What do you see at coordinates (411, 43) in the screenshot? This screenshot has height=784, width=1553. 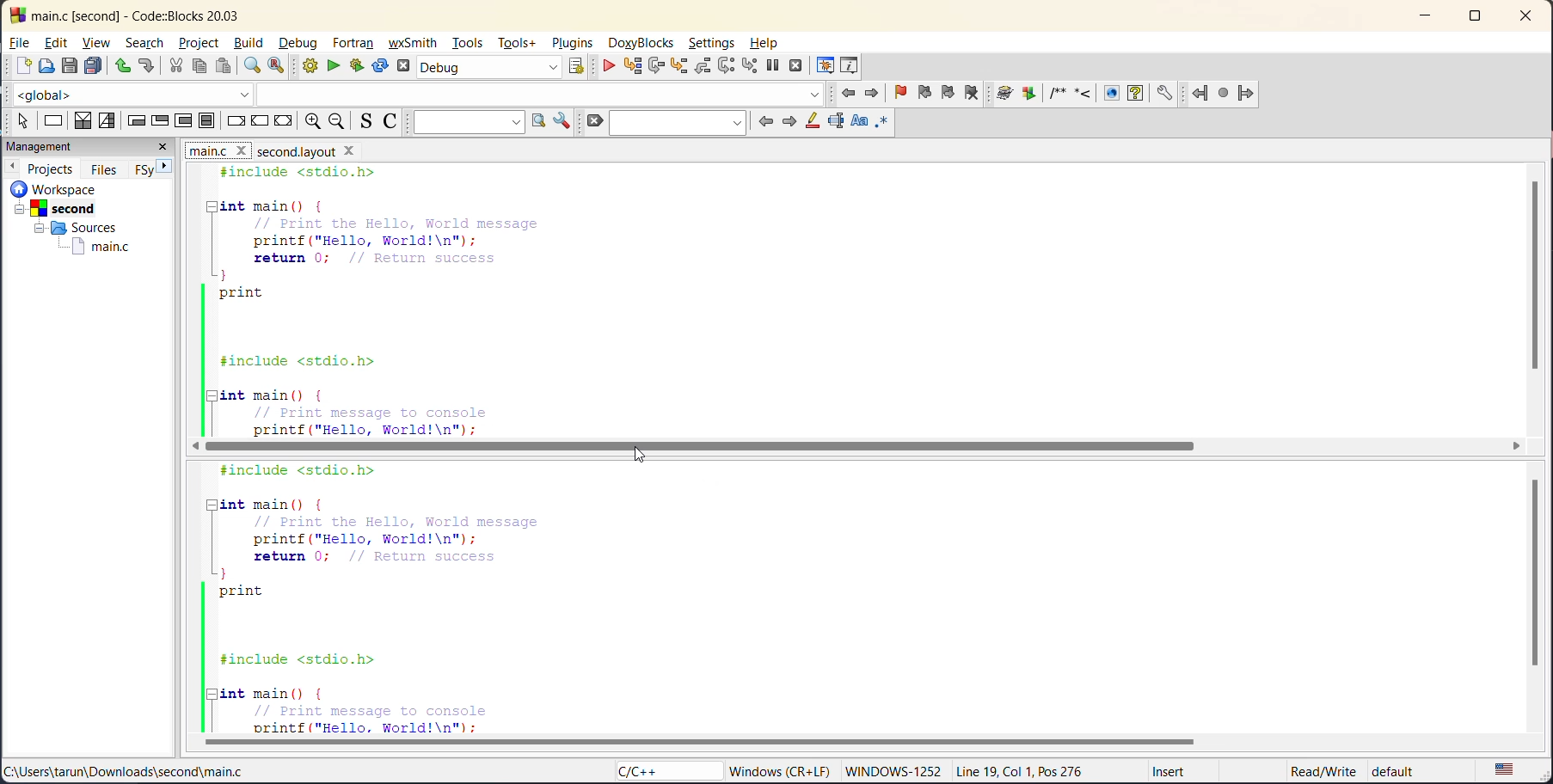 I see `wxsmith` at bounding box center [411, 43].